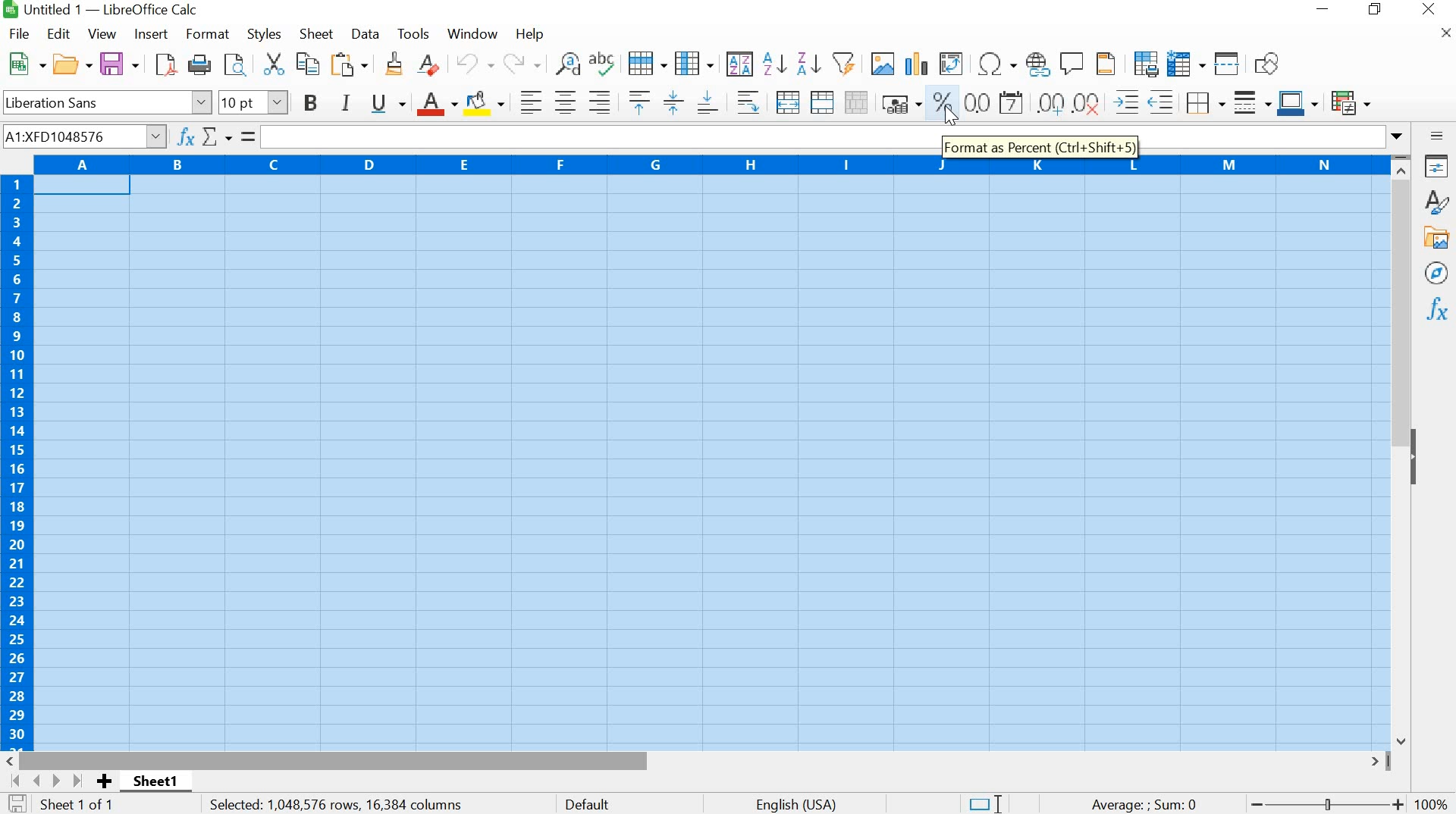 Image resolution: width=1456 pixels, height=814 pixels. Describe the element at coordinates (707, 105) in the screenshot. I see `Align Bottom` at that location.